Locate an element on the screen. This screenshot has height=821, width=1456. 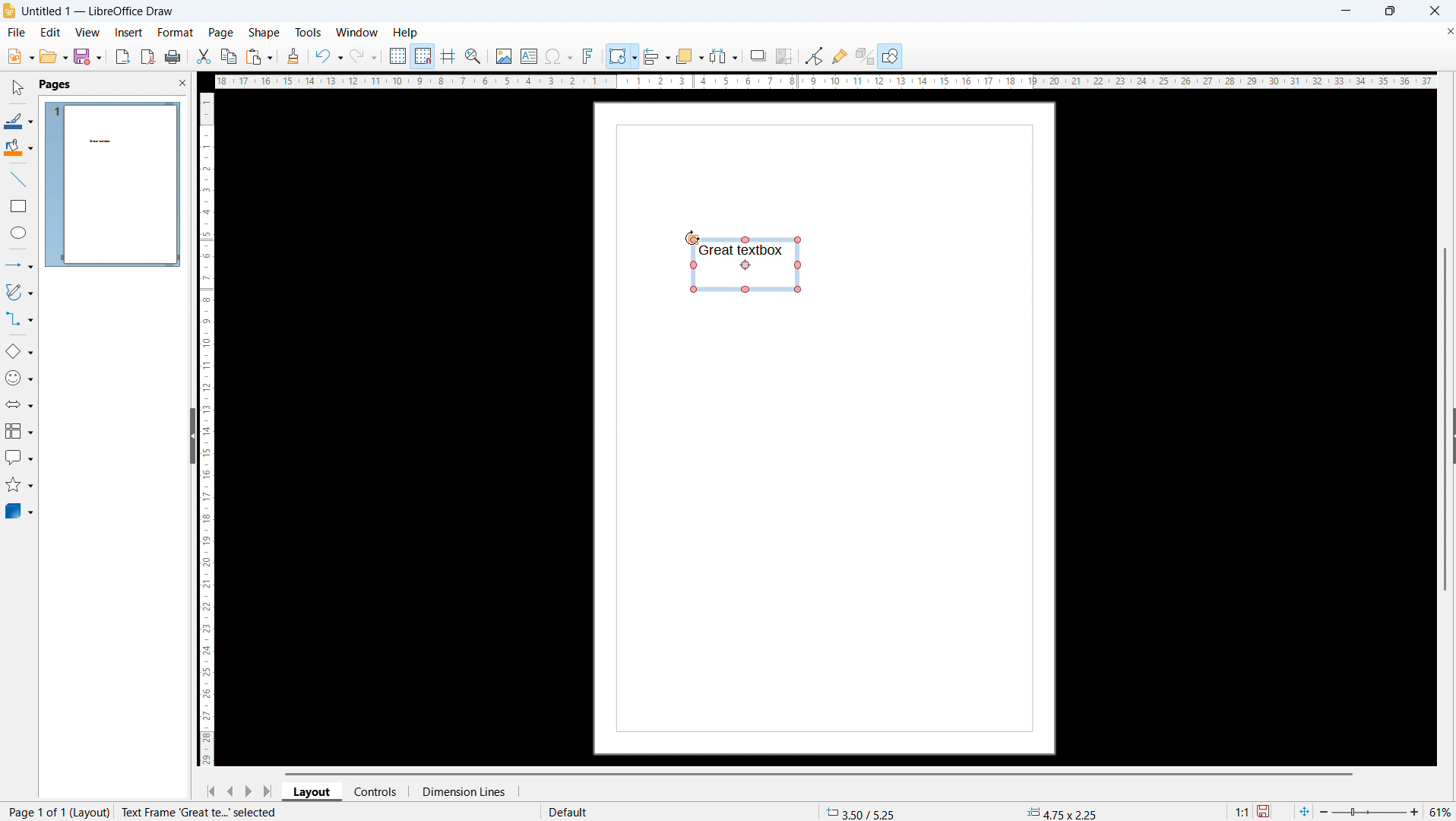
Scaling factor  is located at coordinates (1242, 810).